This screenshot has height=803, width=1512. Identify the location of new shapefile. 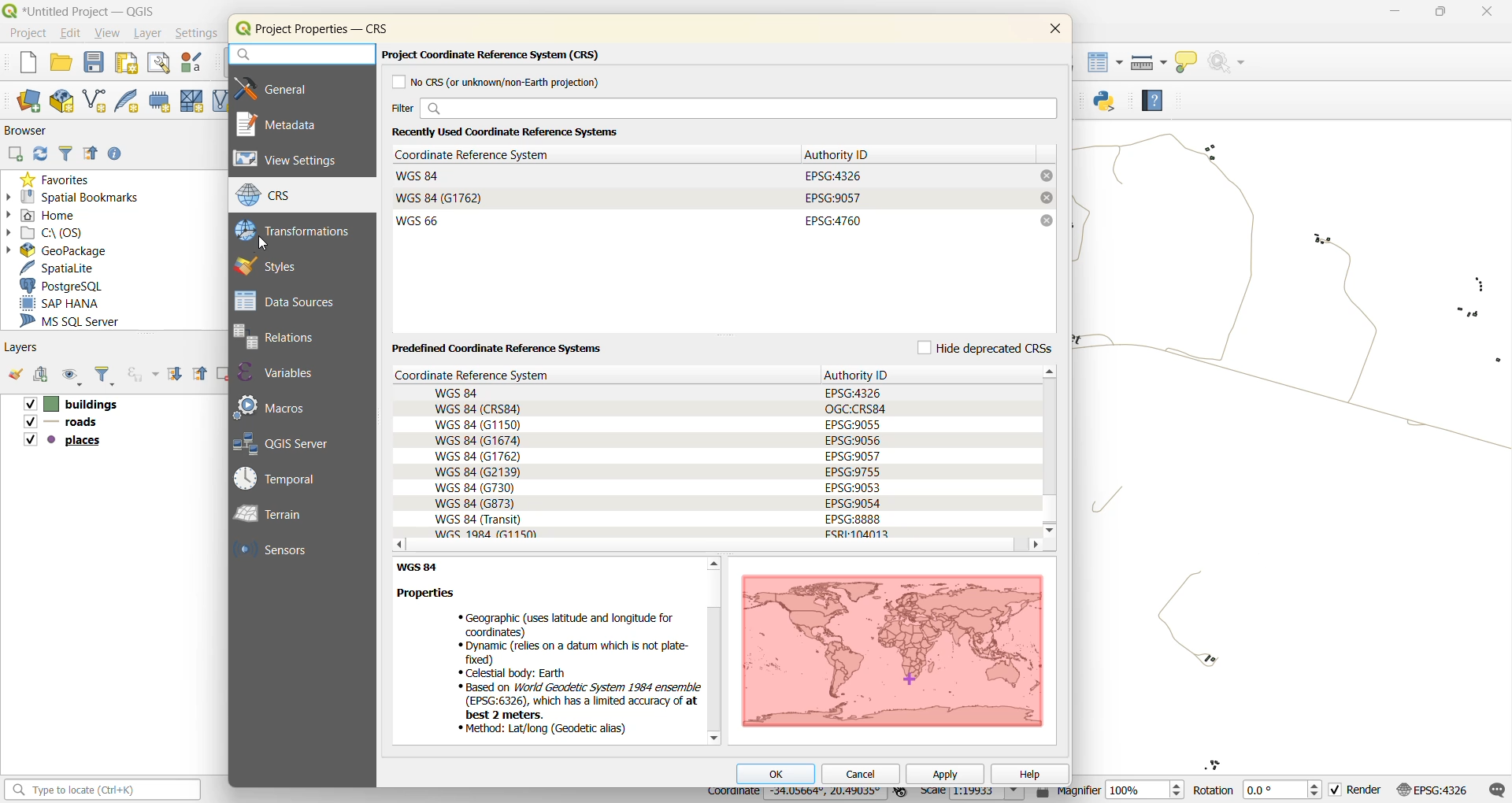
(96, 101).